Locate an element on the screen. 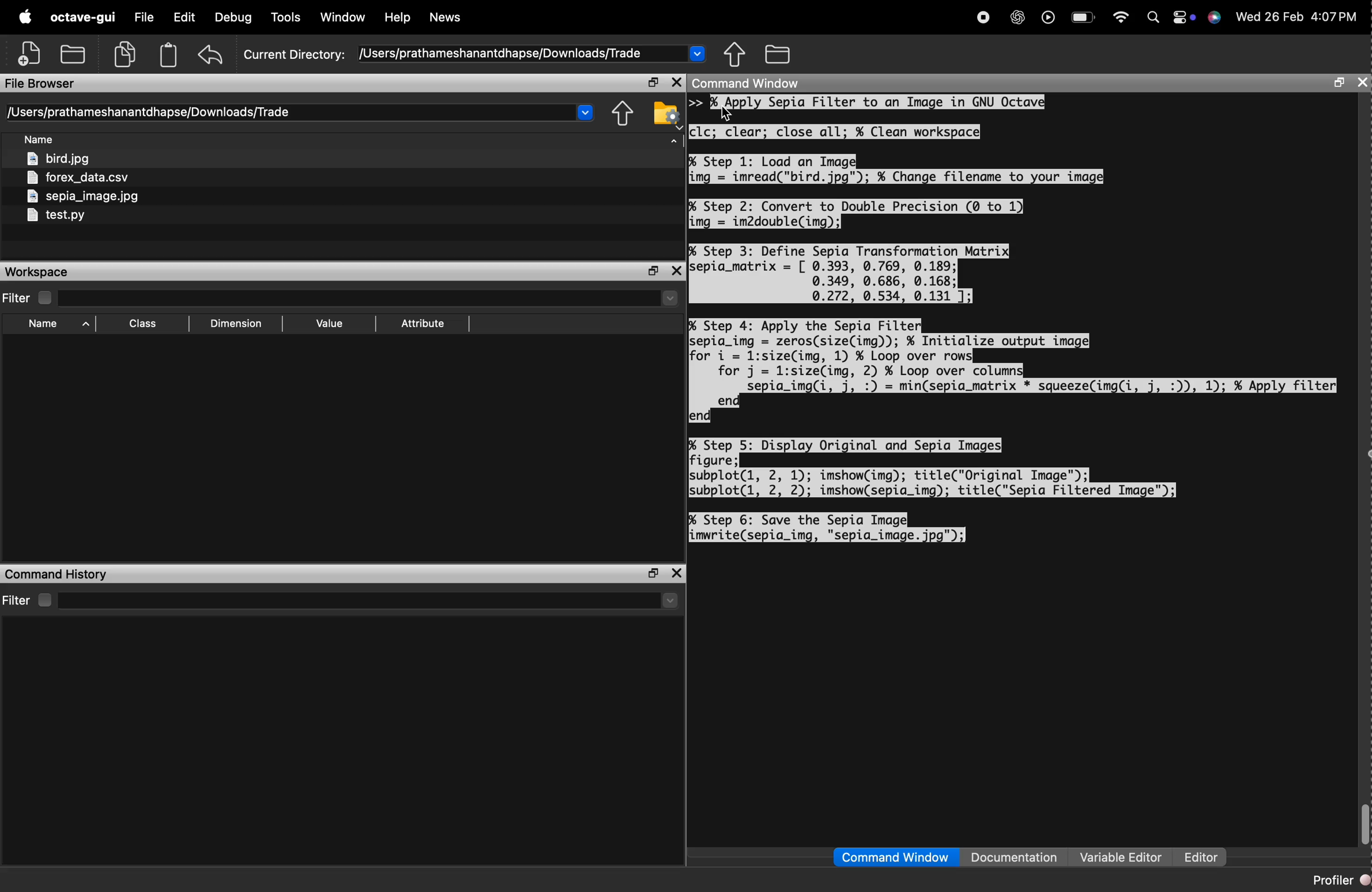 This screenshot has width=1372, height=892. add folder is located at coordinates (72, 55).